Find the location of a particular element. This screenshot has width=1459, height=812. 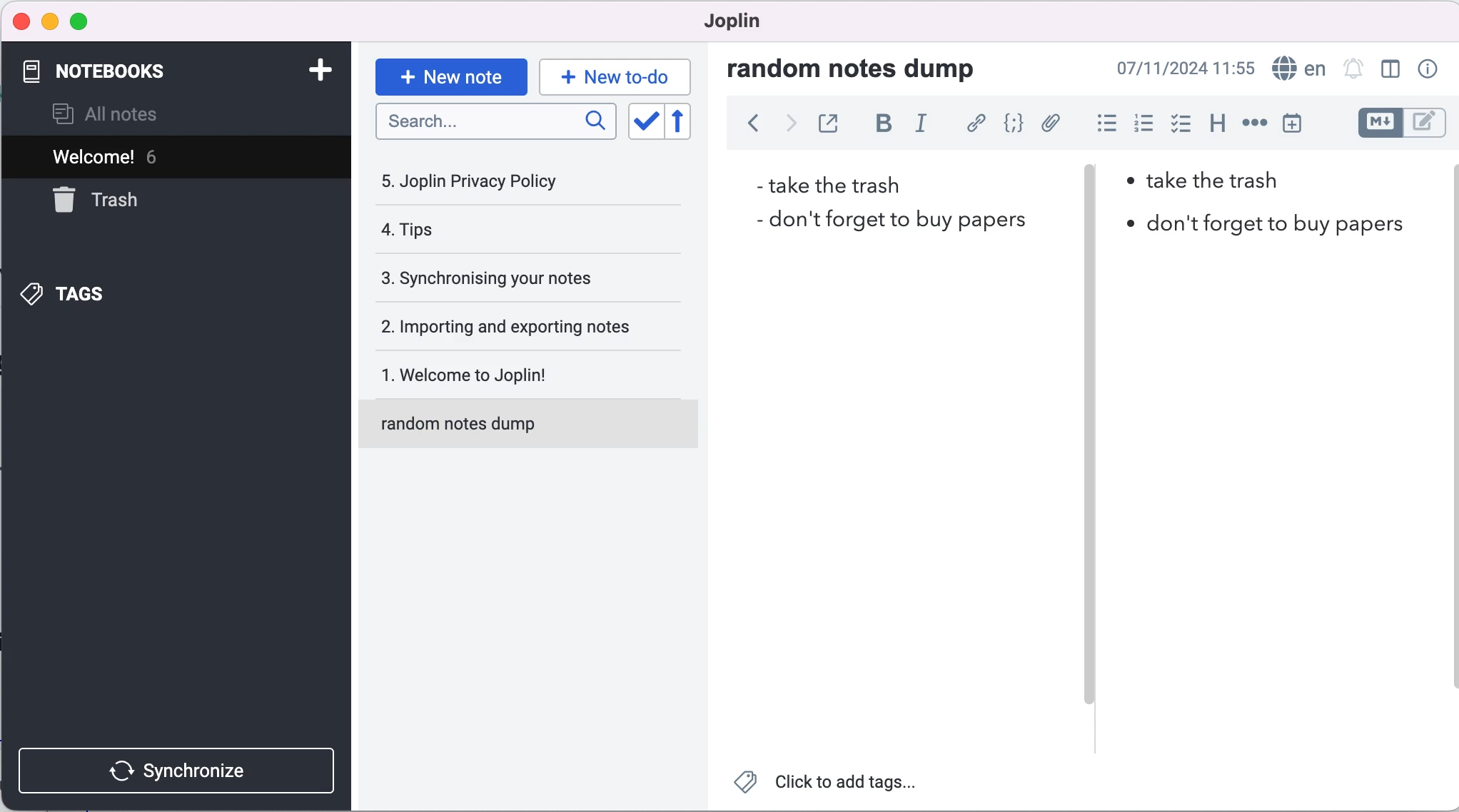

07/11/2024 09:03 is located at coordinates (1186, 68).